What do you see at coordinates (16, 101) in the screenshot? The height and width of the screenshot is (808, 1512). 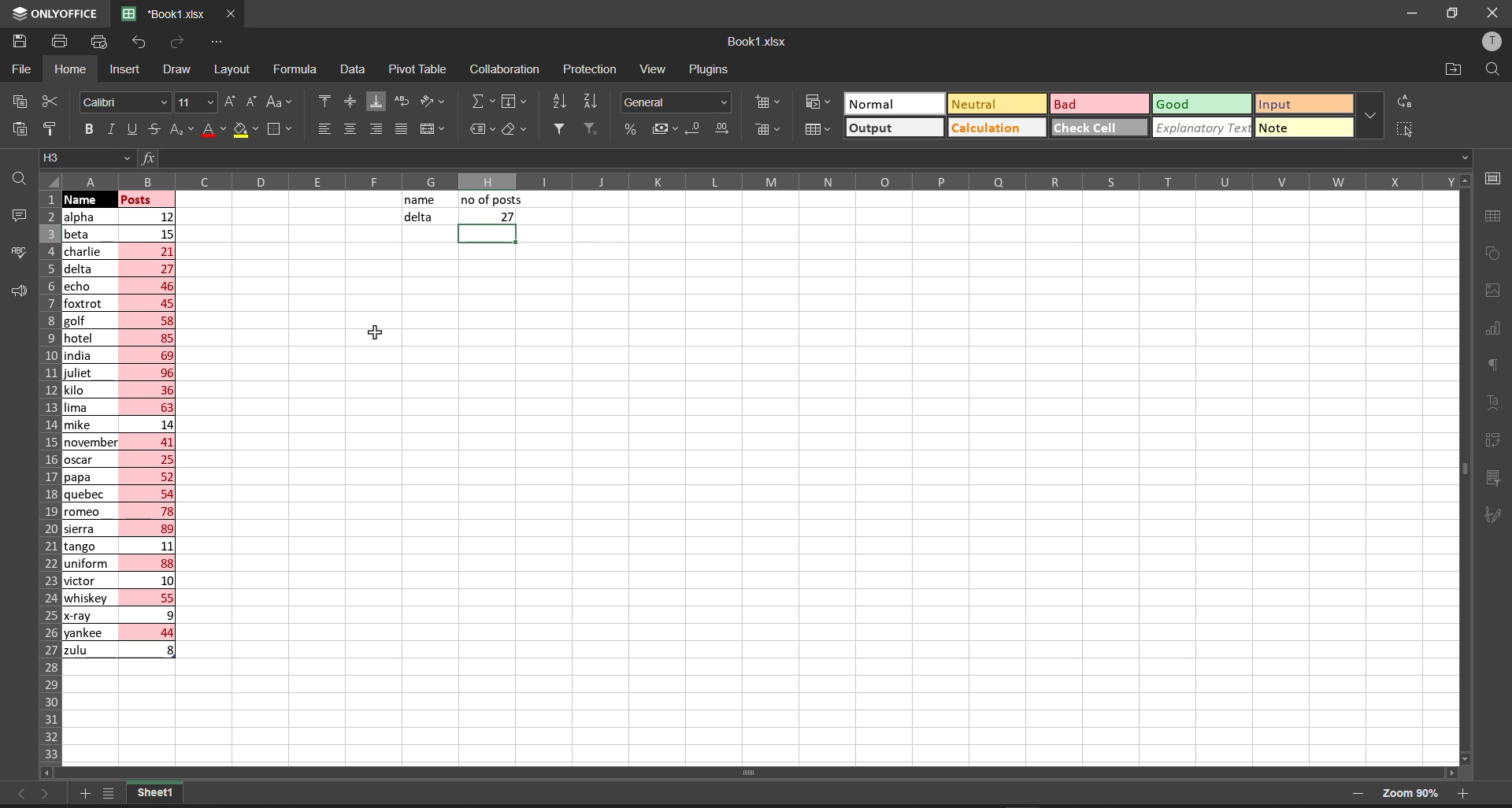 I see `copy` at bounding box center [16, 101].